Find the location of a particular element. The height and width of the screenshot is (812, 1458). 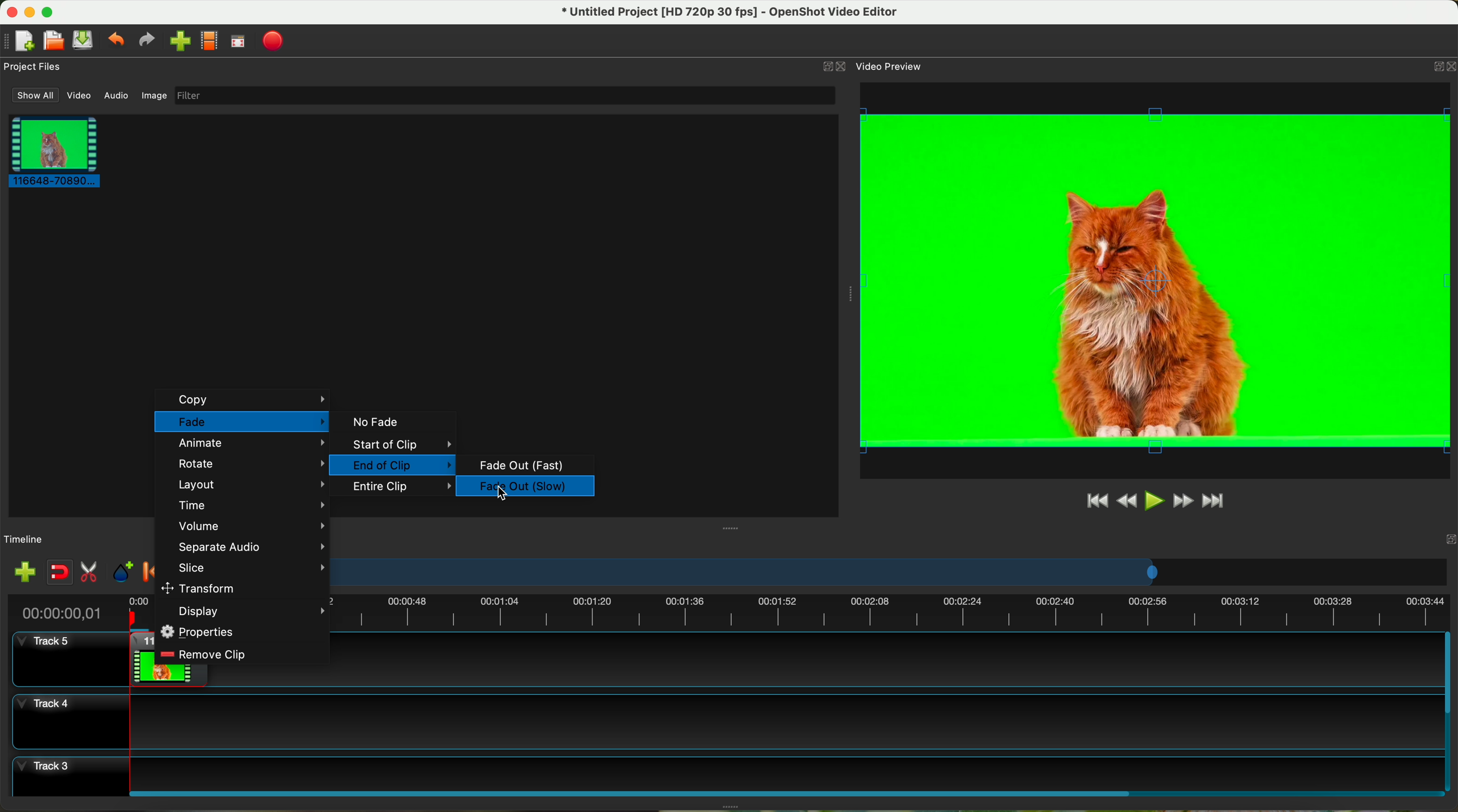

properties is located at coordinates (200, 631).